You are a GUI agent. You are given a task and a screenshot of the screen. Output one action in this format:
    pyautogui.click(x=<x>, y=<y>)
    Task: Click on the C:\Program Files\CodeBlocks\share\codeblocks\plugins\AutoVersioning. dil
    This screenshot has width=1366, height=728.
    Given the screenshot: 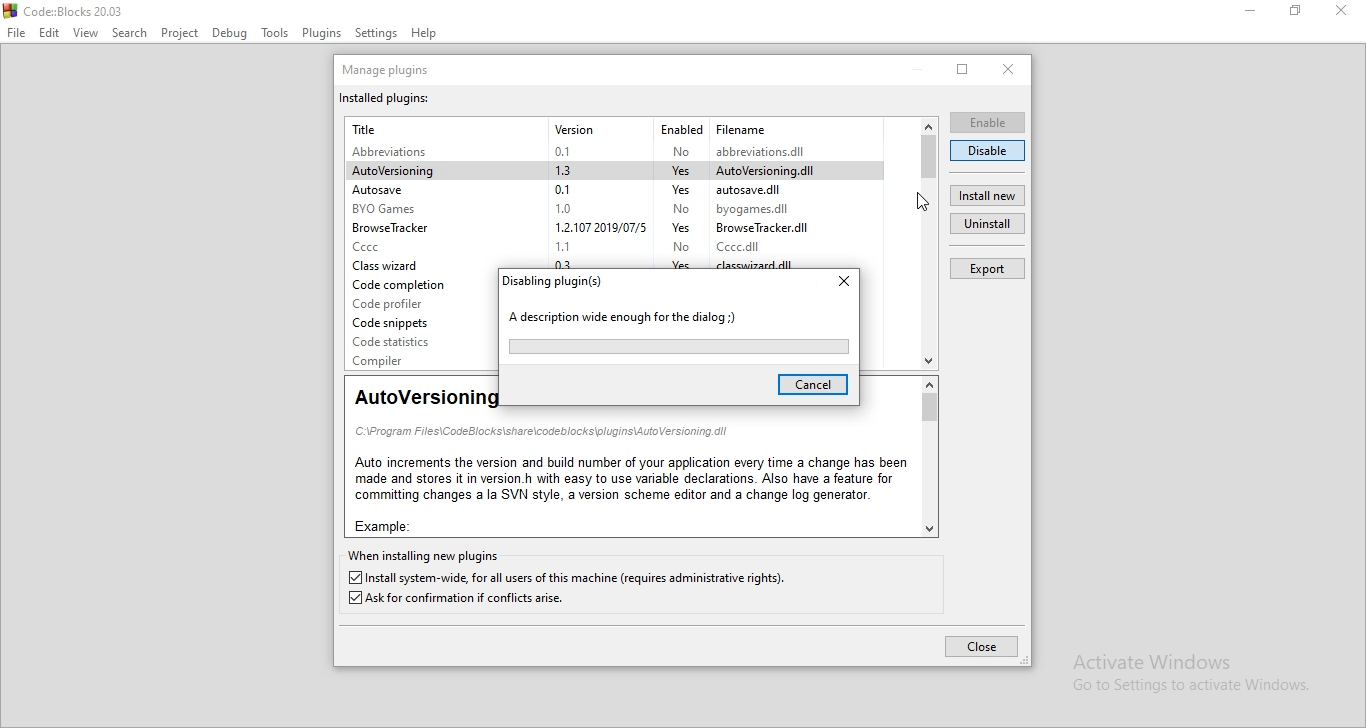 What is the action you would take?
    pyautogui.click(x=542, y=432)
    